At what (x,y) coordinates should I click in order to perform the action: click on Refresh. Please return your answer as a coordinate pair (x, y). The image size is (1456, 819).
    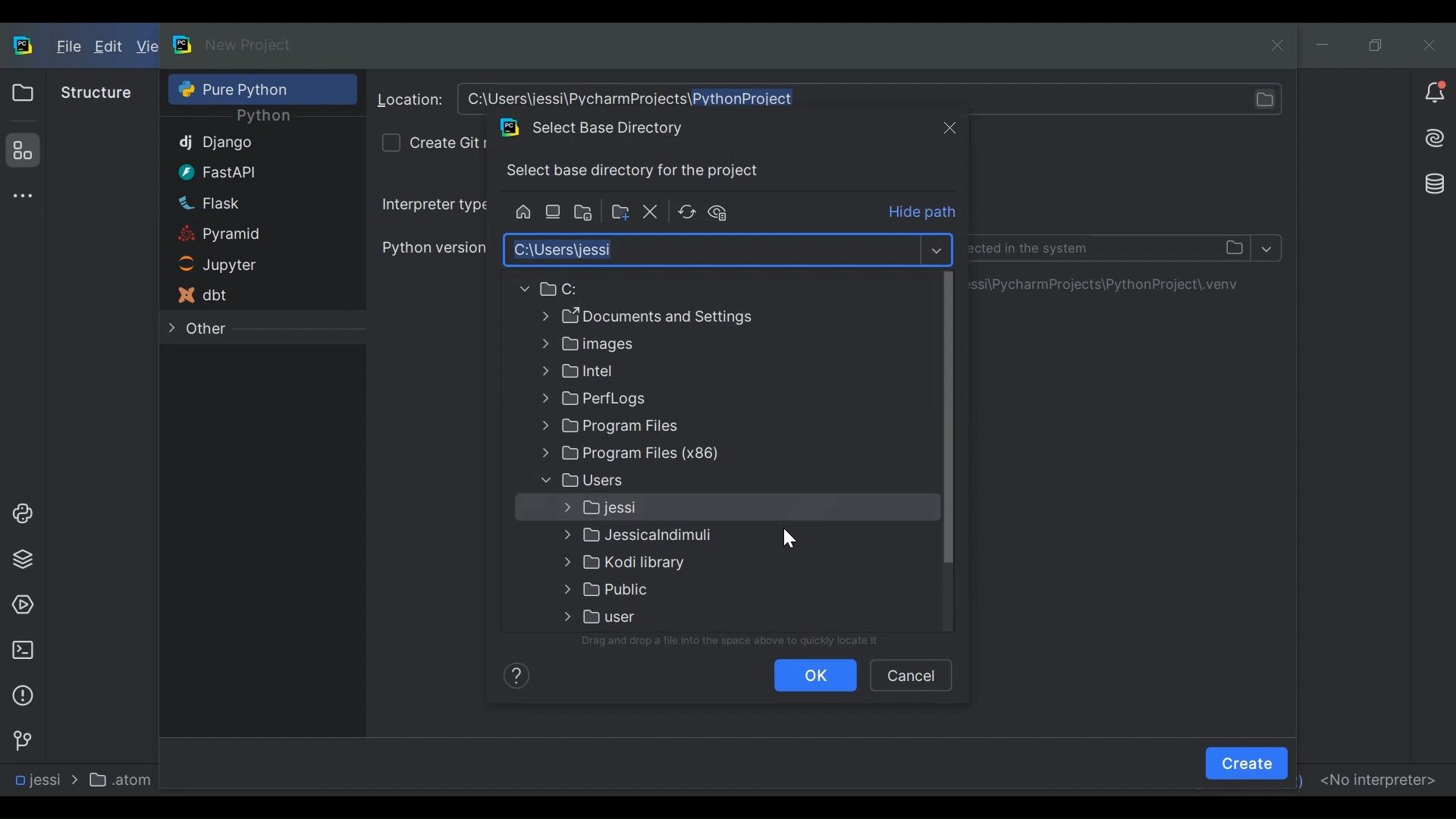
    Looking at the image, I should click on (686, 212).